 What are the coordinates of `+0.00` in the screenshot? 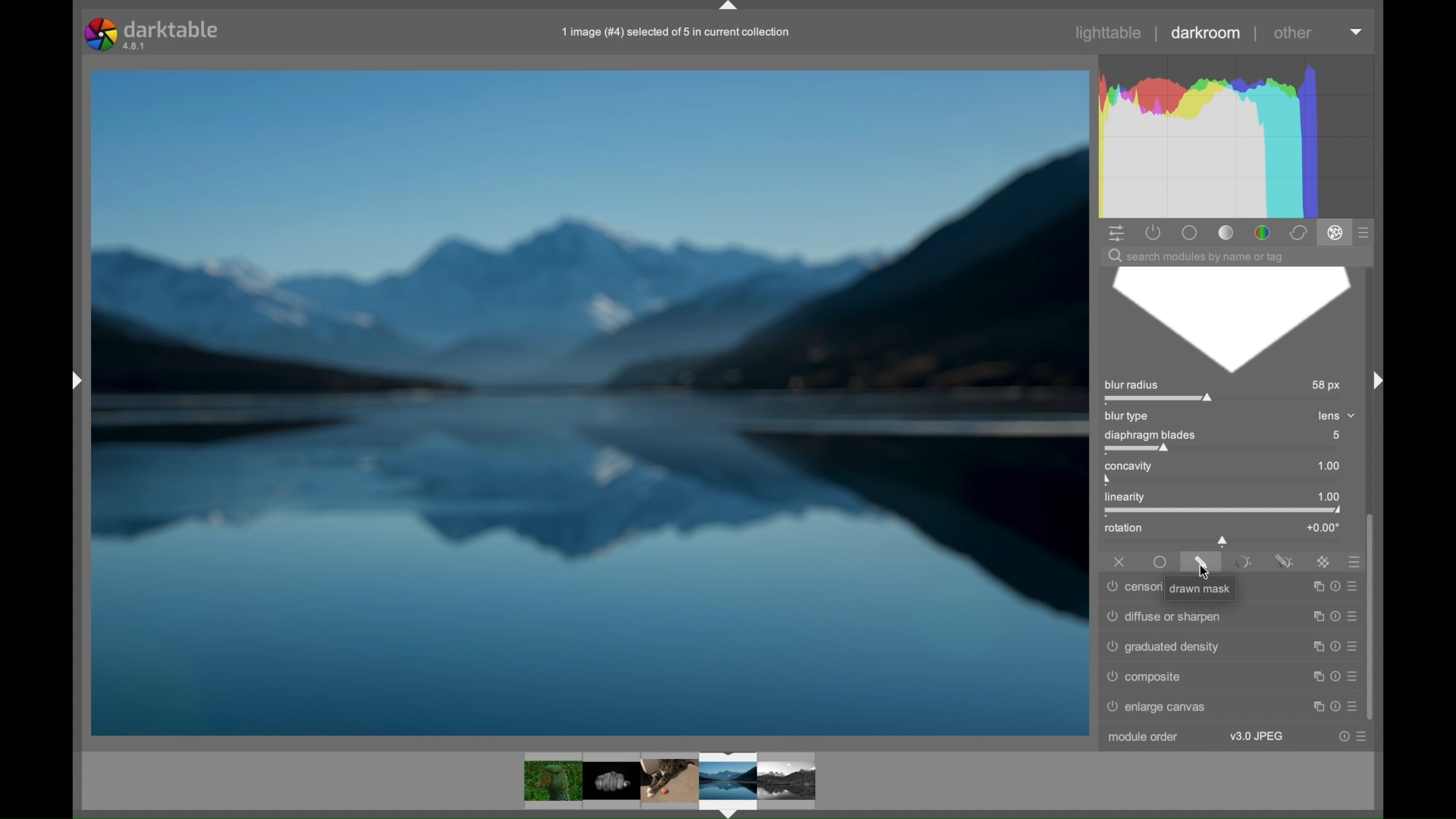 It's located at (1323, 527).